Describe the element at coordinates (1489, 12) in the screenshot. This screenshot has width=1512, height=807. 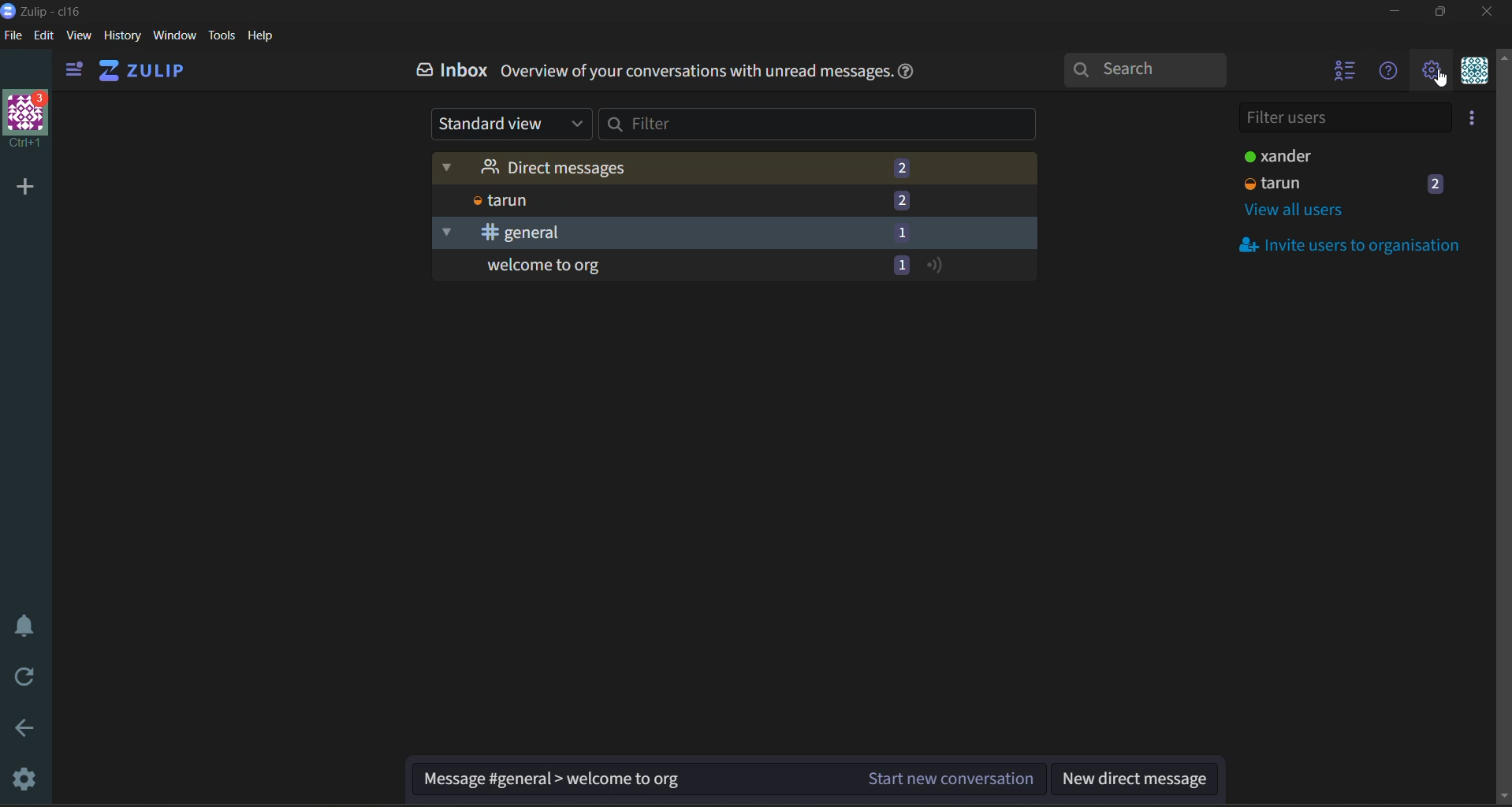
I see `close` at that location.